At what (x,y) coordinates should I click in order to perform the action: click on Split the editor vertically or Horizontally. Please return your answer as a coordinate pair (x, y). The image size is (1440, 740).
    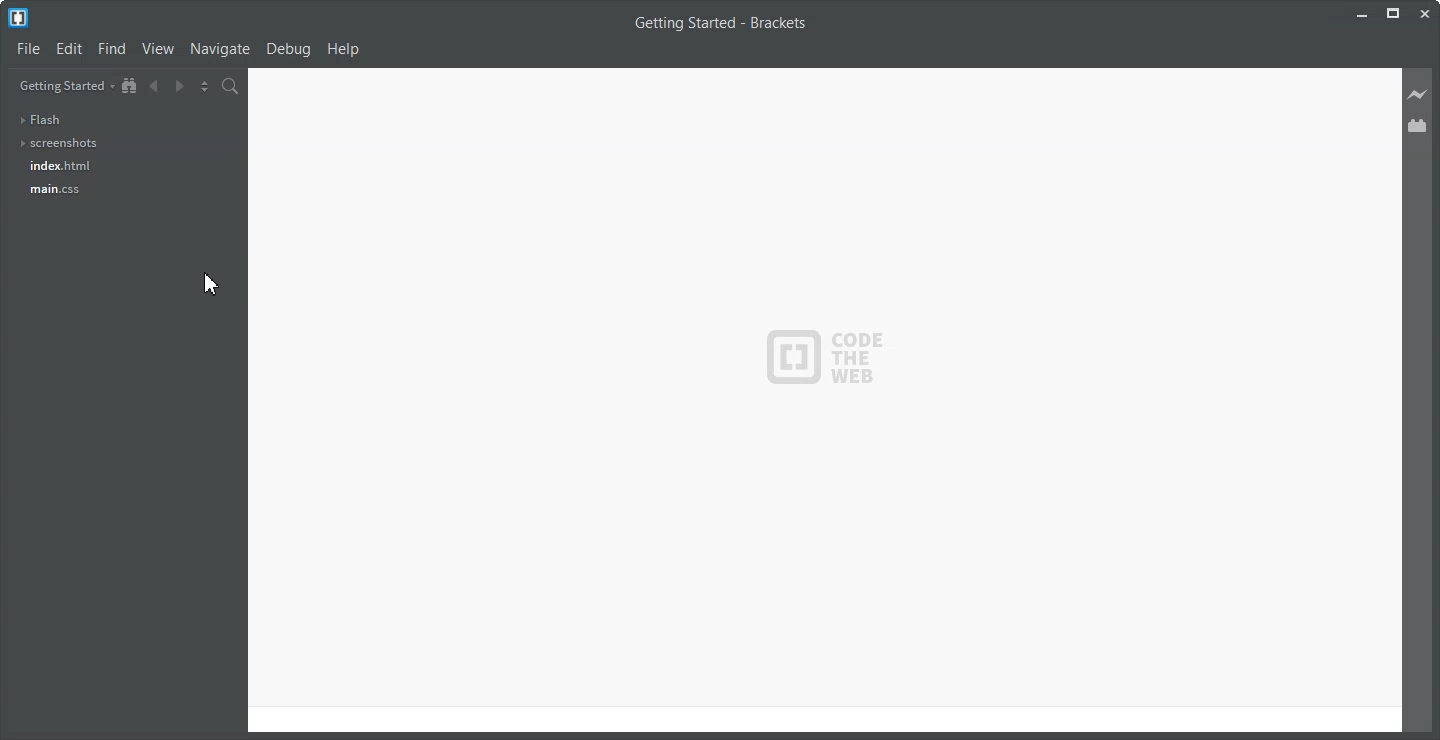
    Looking at the image, I should click on (203, 86).